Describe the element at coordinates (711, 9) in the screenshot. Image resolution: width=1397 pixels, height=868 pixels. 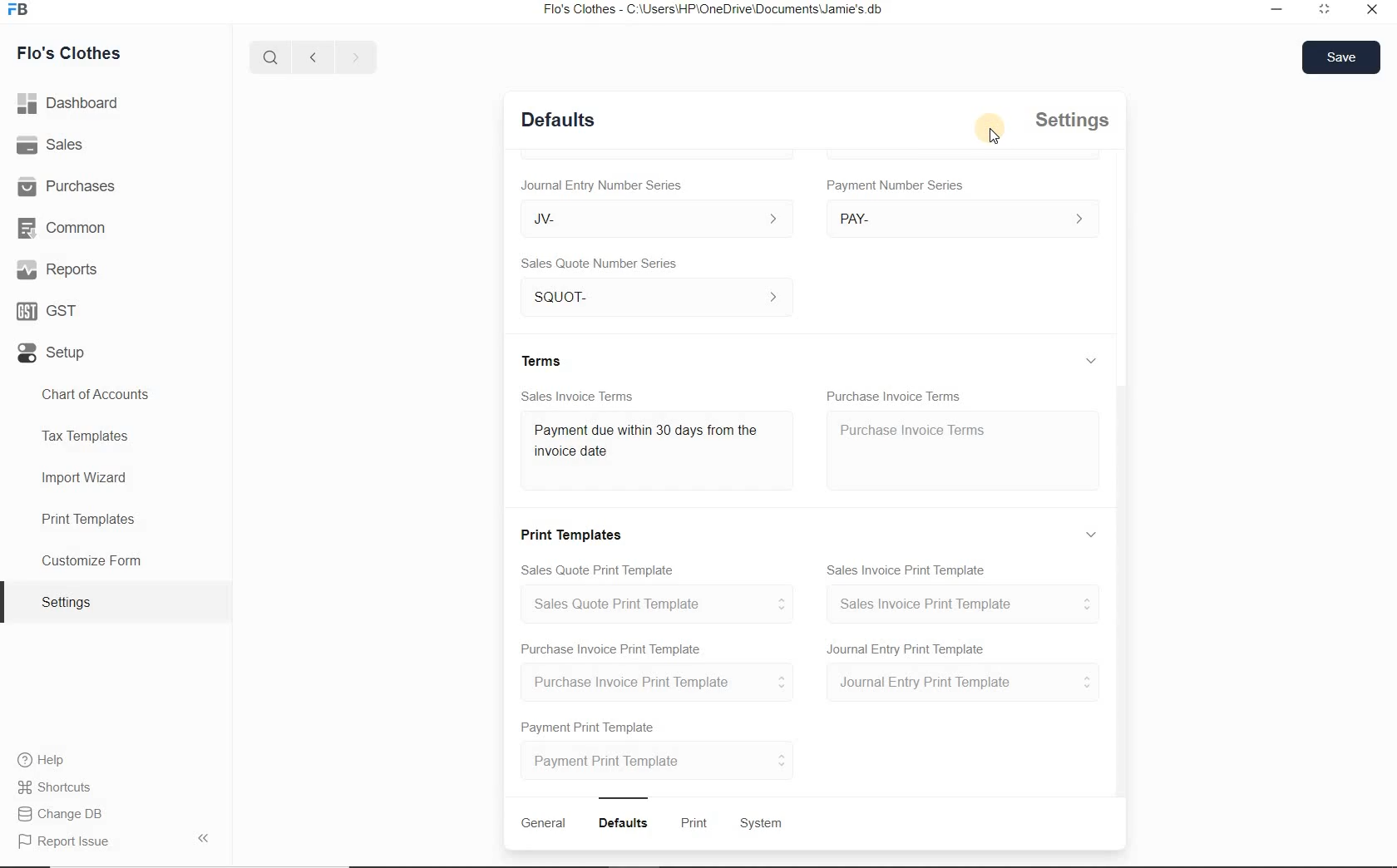
I see `Flo's Clothes - C:\Users\HP'\OneDrive\Documents\Jamie's.db` at that location.